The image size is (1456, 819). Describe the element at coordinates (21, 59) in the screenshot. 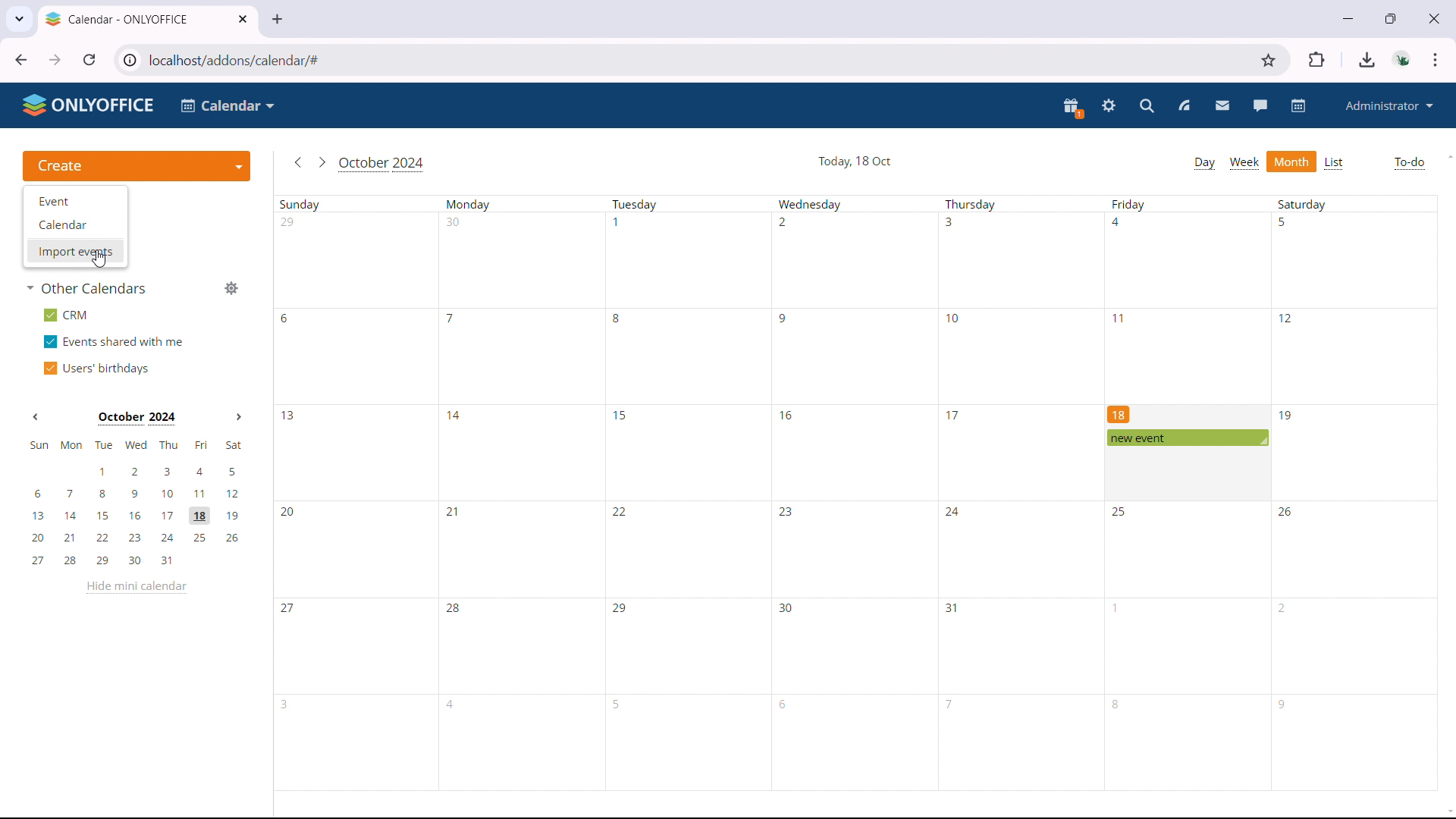

I see `click to go back, hold to see history` at that location.